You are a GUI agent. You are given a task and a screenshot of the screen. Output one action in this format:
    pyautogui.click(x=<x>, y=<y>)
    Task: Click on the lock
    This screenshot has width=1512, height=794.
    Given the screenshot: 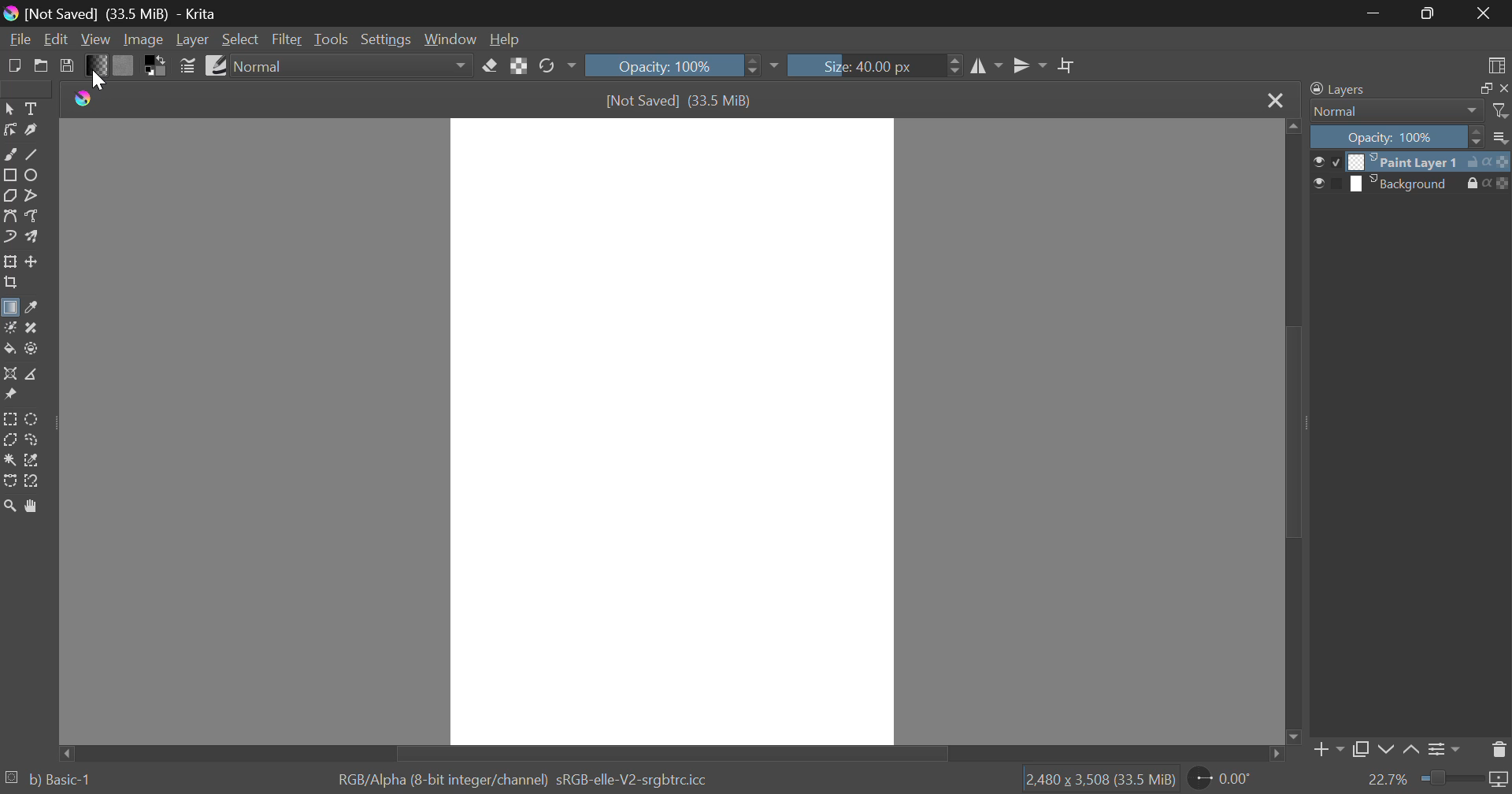 What is the action you would take?
    pyautogui.click(x=1476, y=184)
    